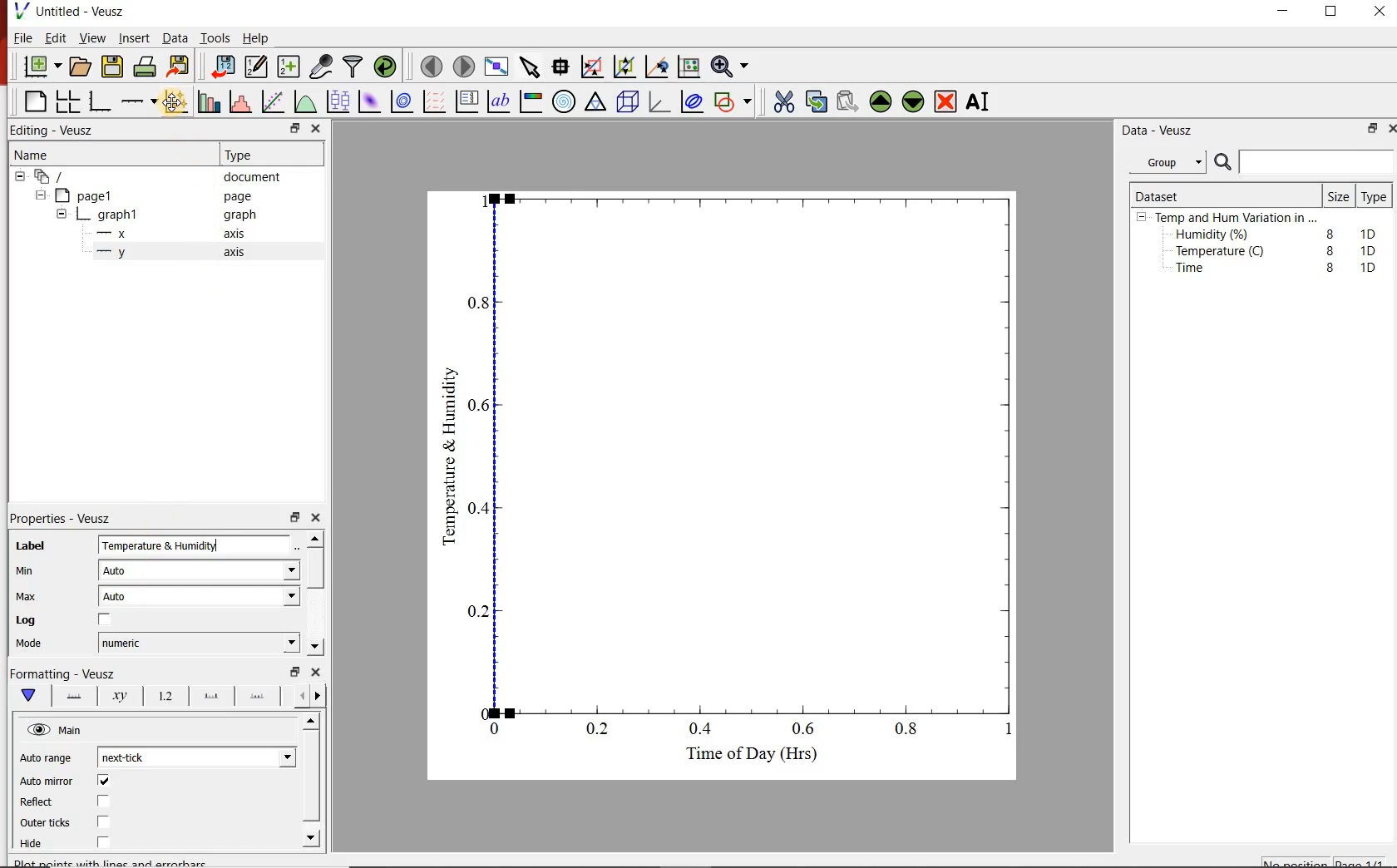 The width and height of the screenshot is (1397, 868). I want to click on File, so click(19, 37).